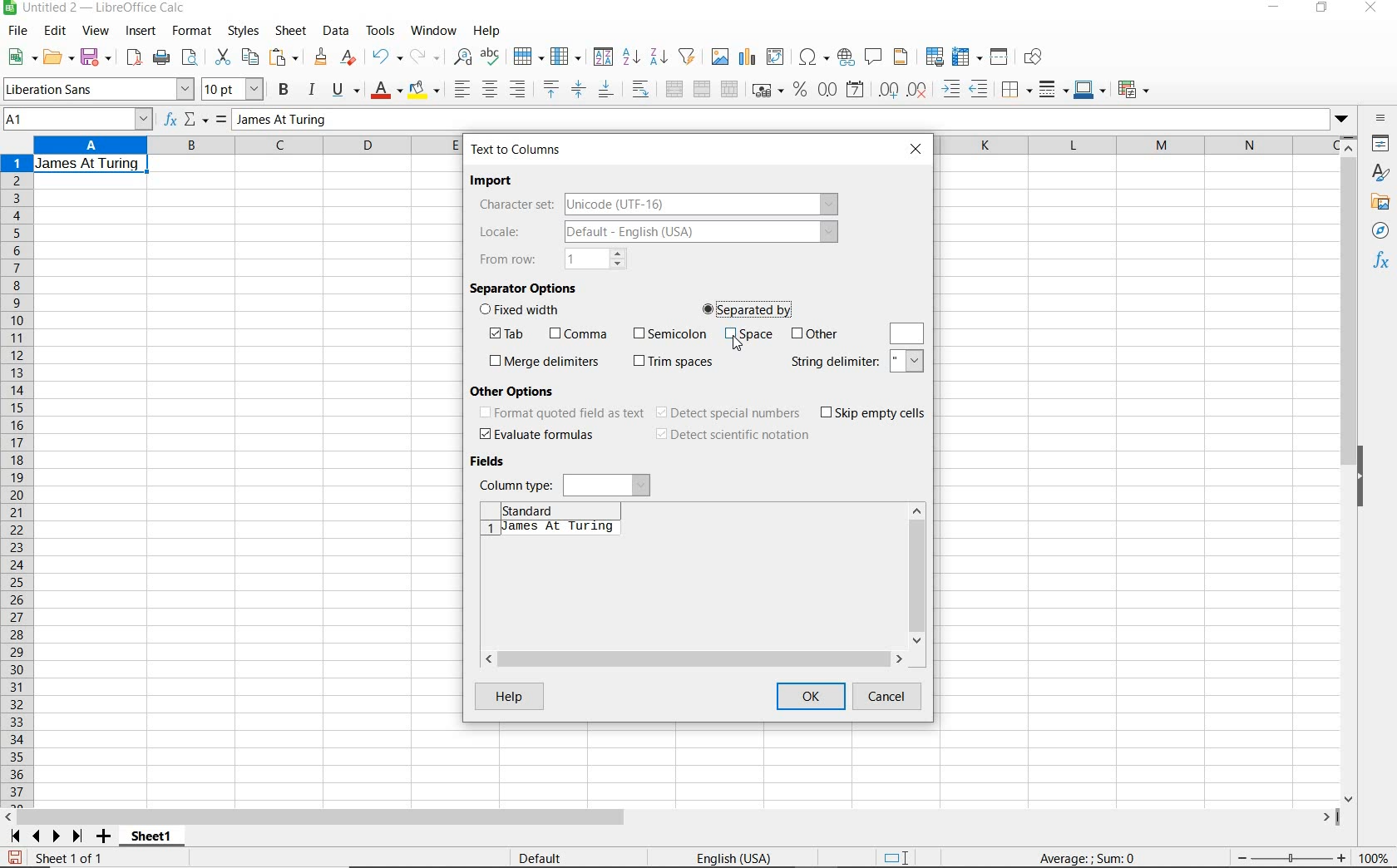  I want to click on A1, so click(76, 121).